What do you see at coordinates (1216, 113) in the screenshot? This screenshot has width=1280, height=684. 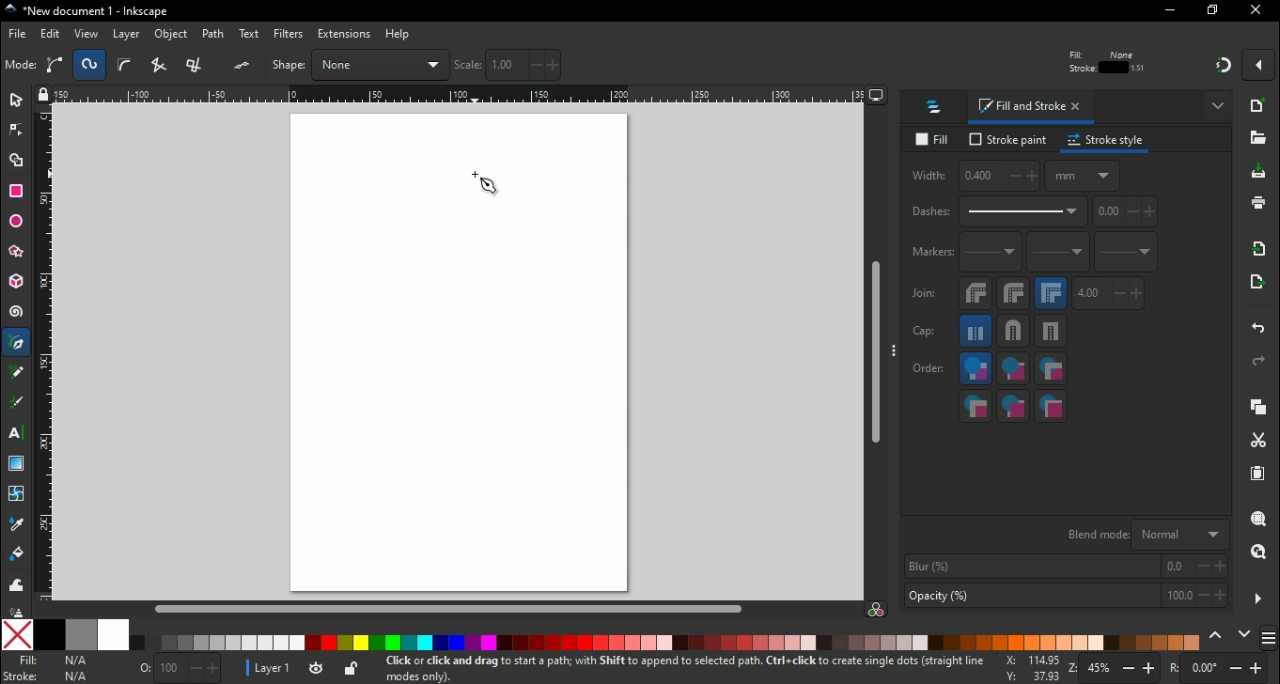 I see `show` at bounding box center [1216, 113].